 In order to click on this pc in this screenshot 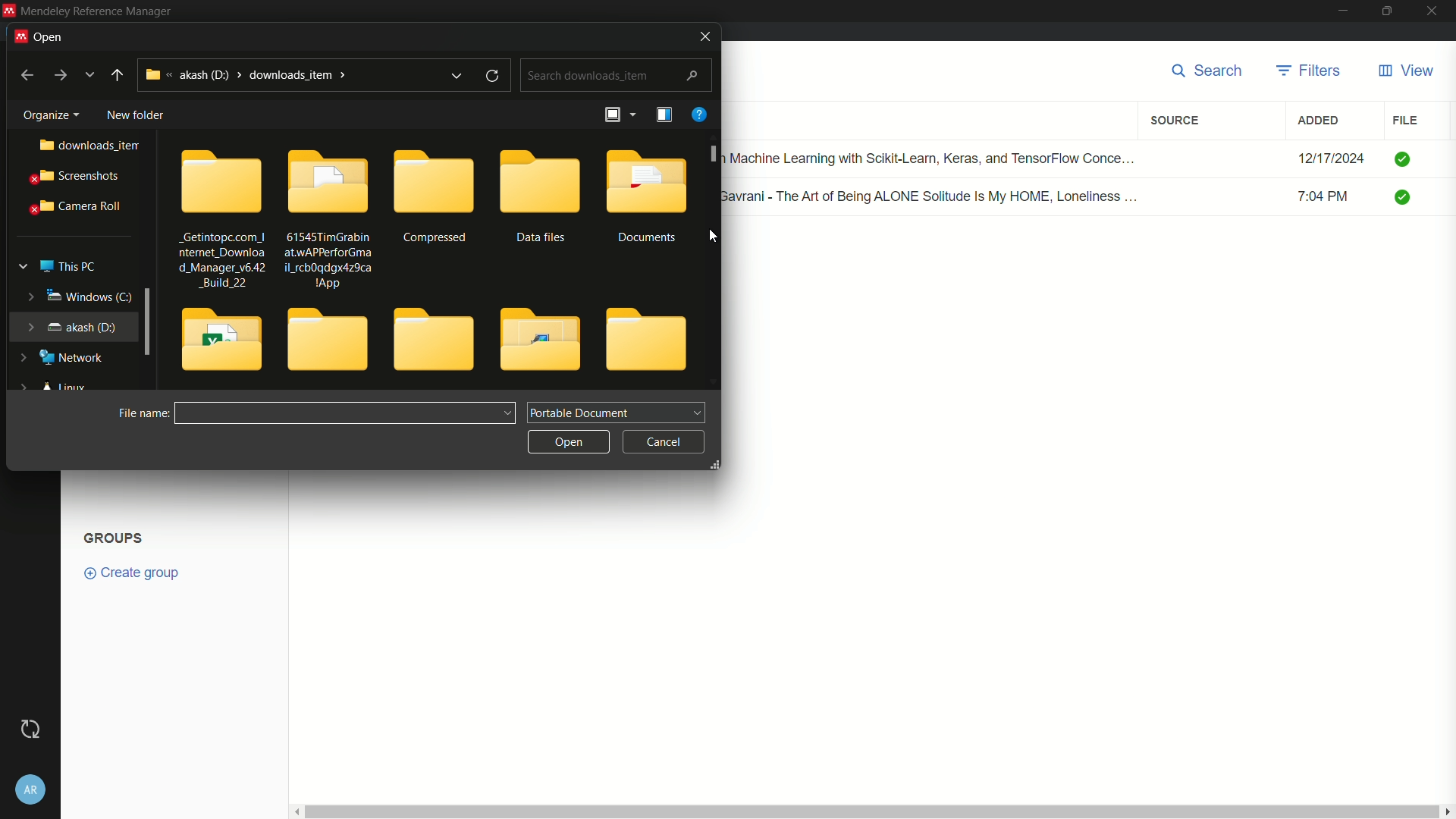, I will do `click(67, 263)`.